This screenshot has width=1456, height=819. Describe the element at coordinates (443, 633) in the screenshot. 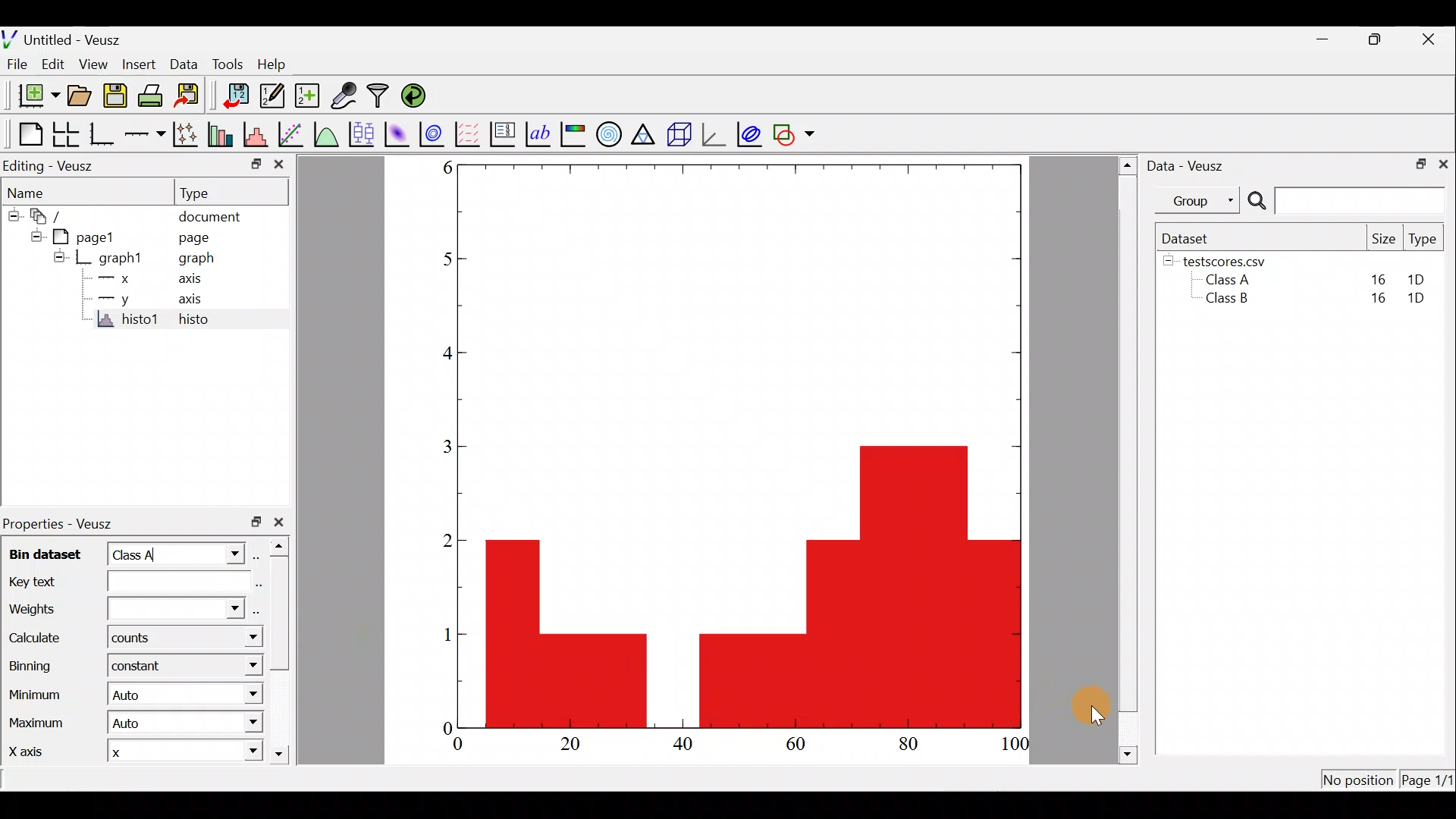

I see `1` at that location.